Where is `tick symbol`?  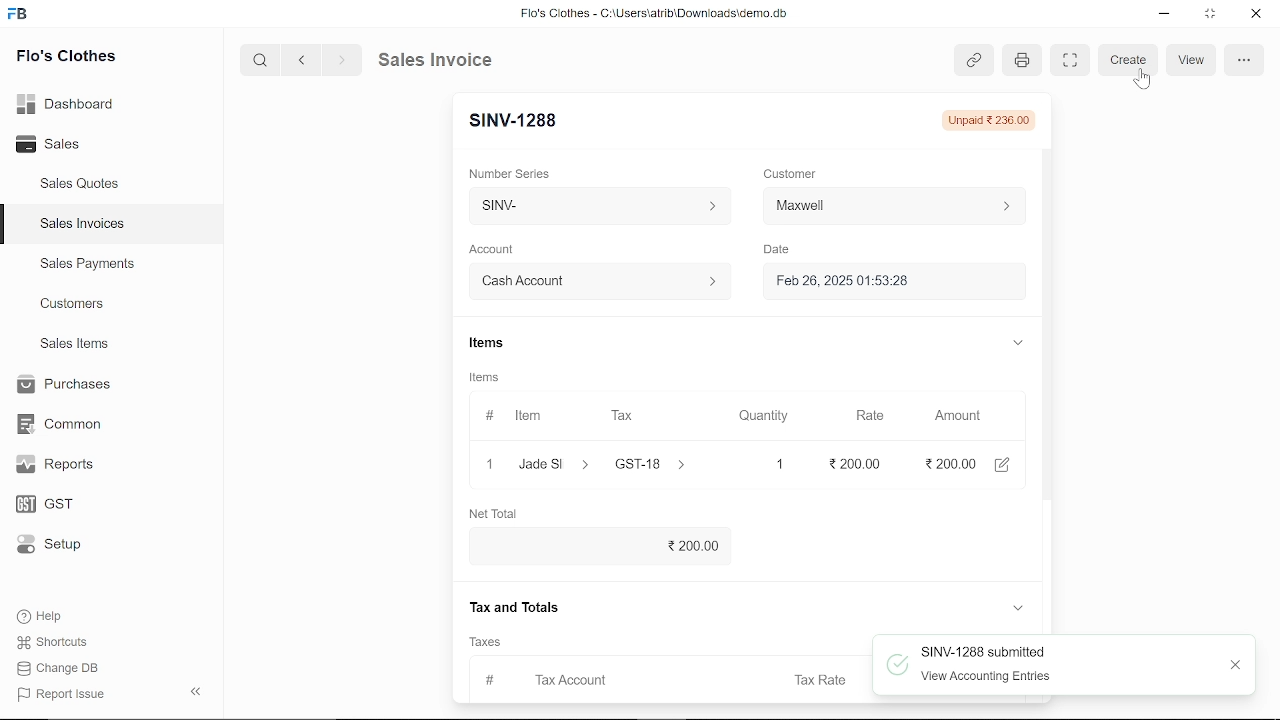
tick symbol is located at coordinates (897, 667).